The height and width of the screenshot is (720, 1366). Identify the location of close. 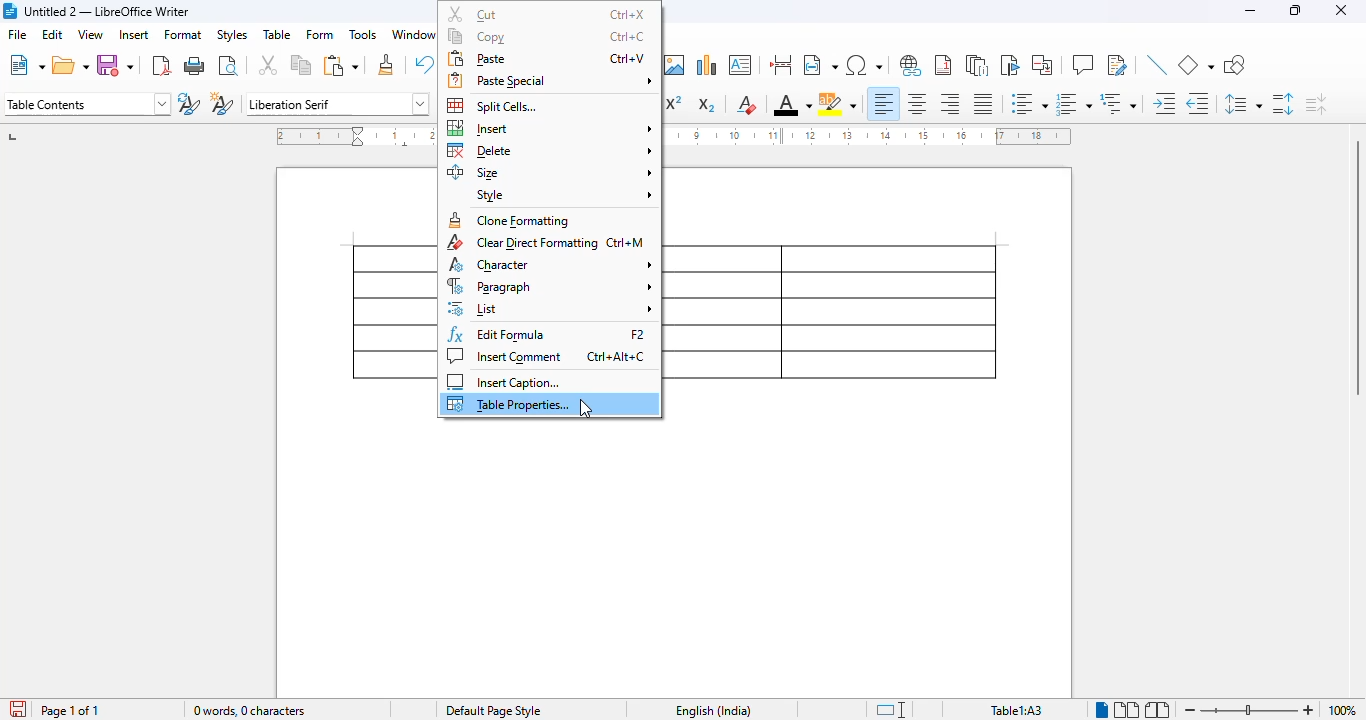
(1343, 10).